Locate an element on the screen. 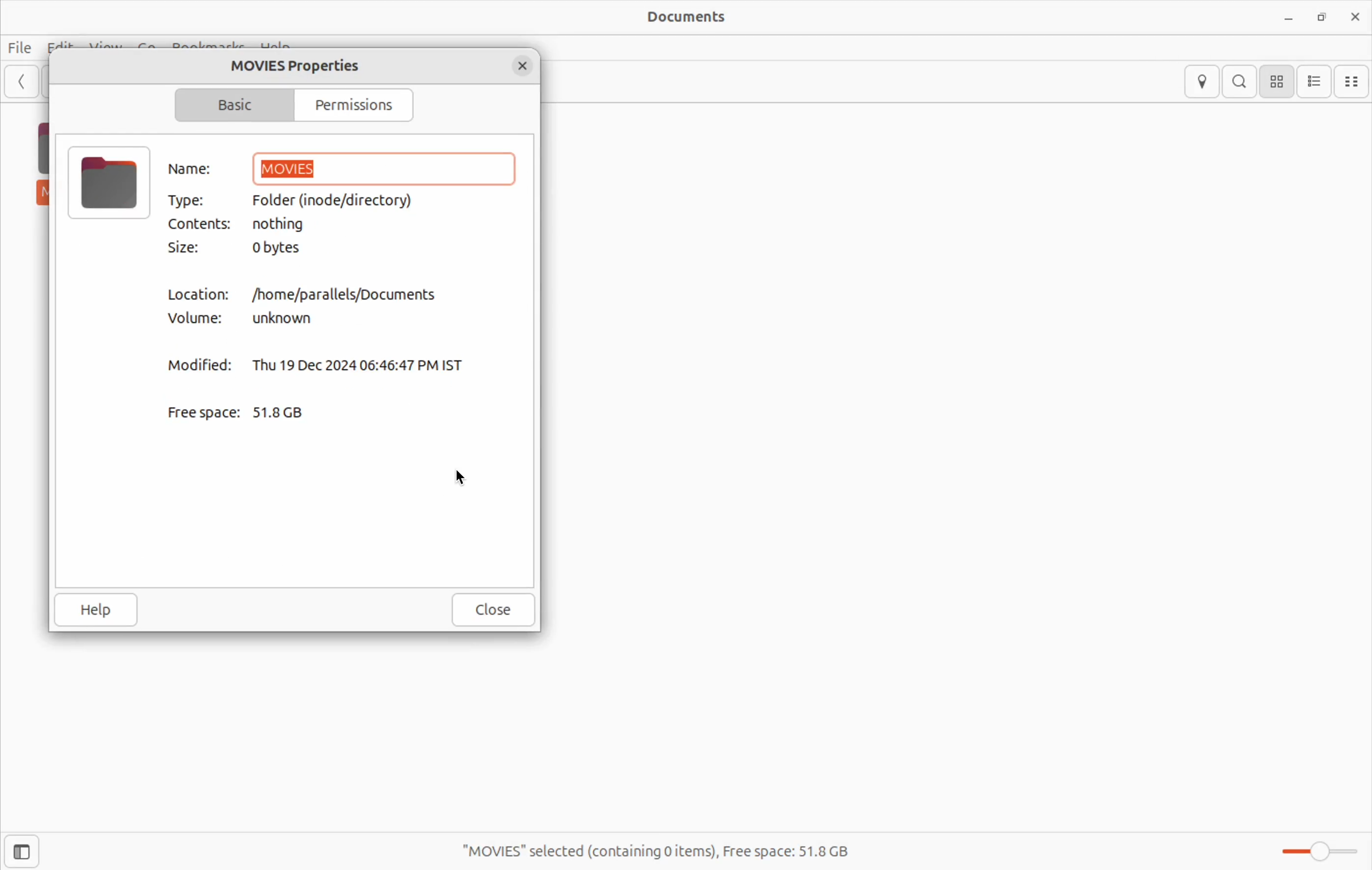 The image size is (1372, 870). locations is located at coordinates (201, 295).